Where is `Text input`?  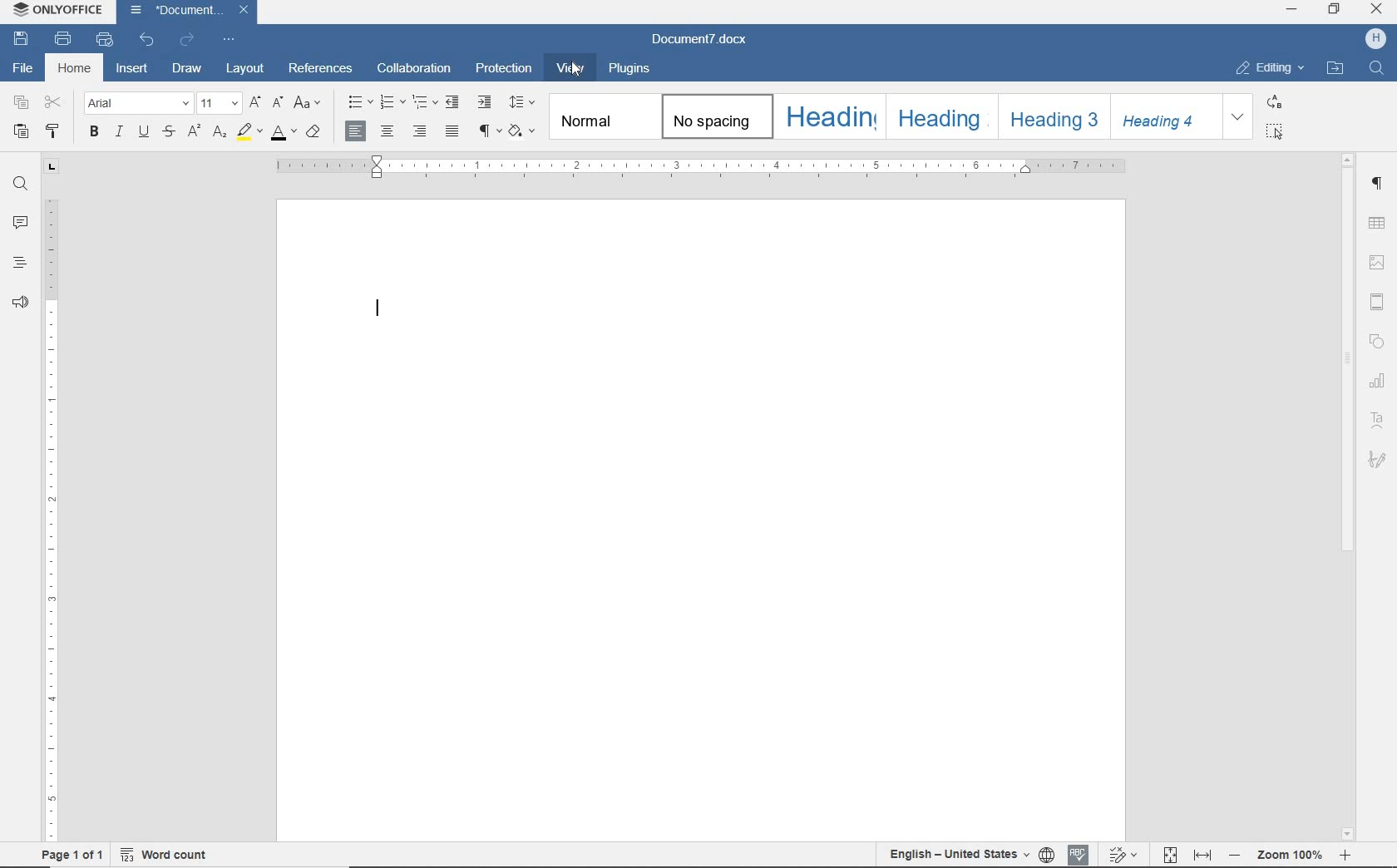
Text input is located at coordinates (378, 311).